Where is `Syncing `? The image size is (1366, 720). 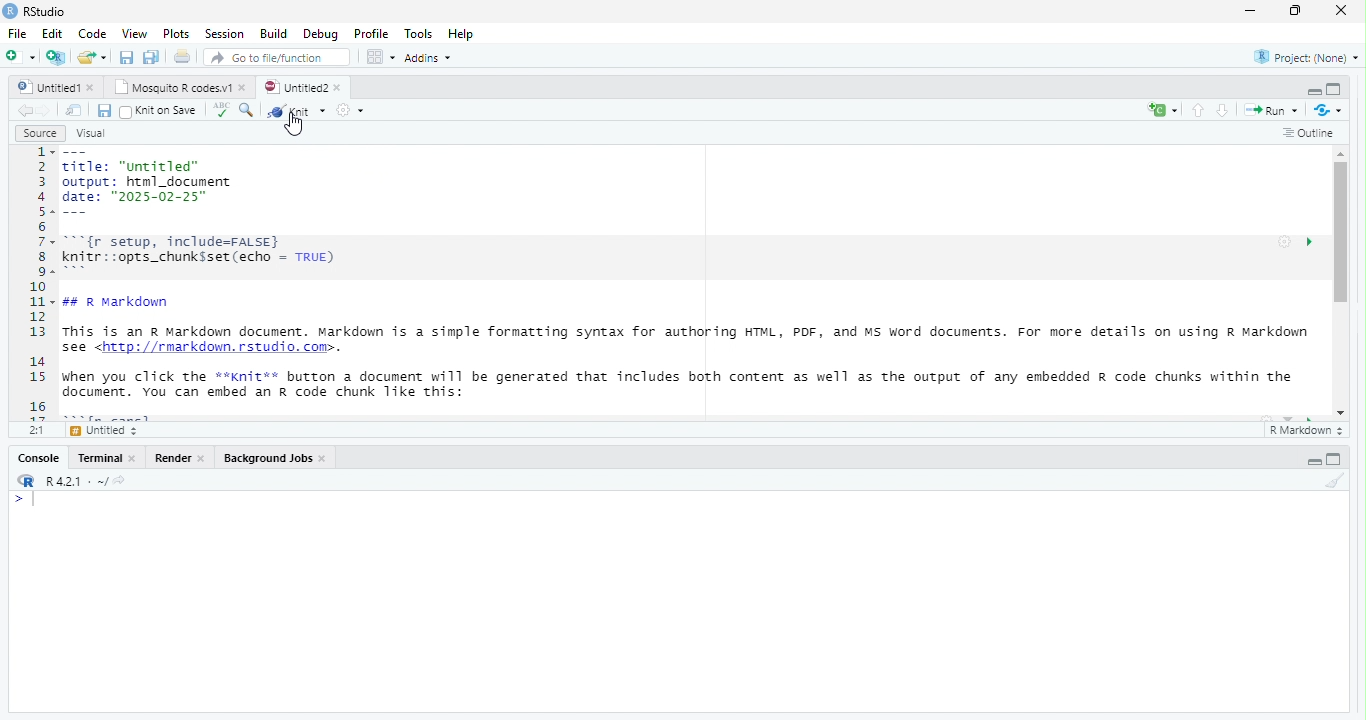
Syncing  is located at coordinates (1330, 110).